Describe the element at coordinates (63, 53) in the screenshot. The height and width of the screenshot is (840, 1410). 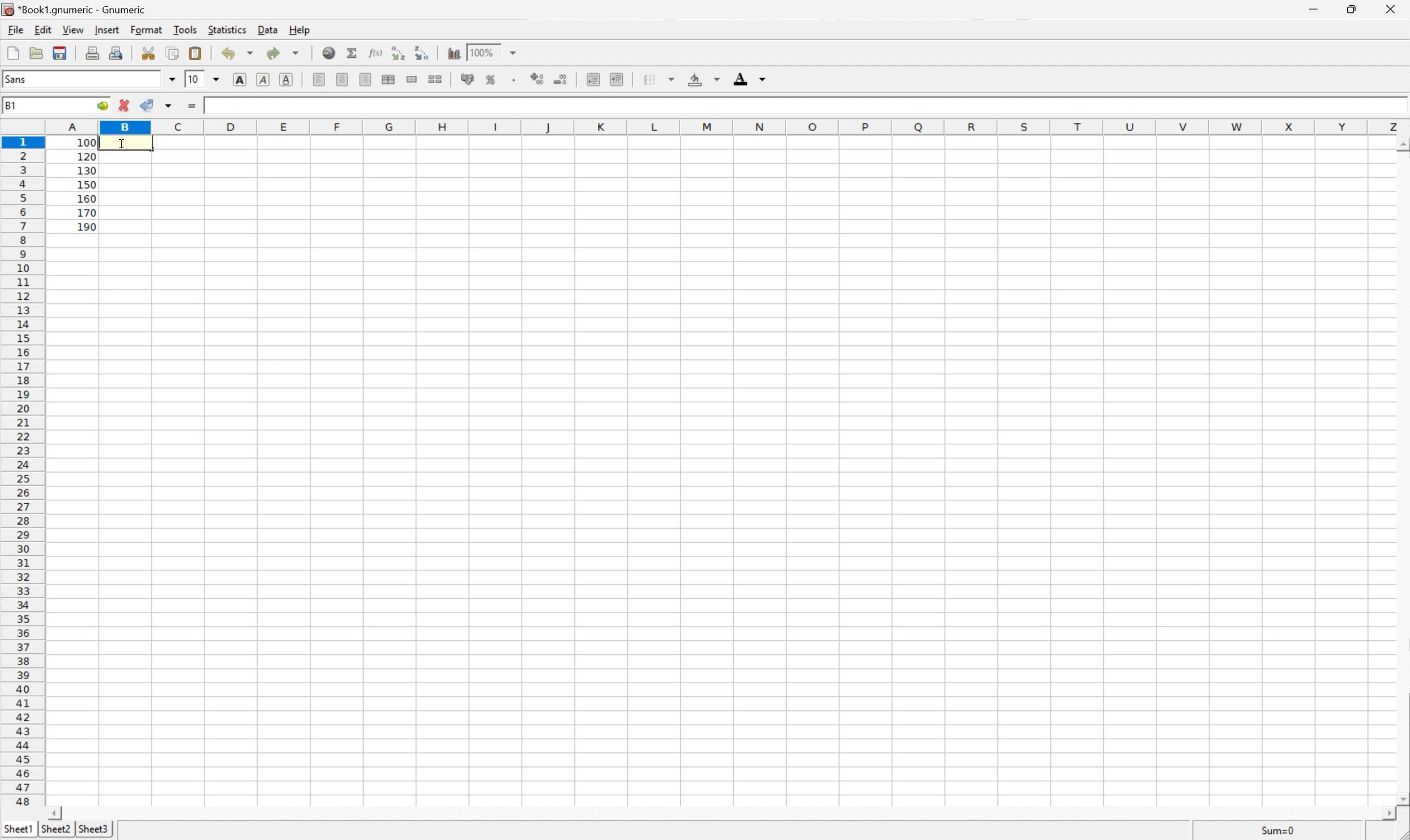
I see `Save current workbook` at that location.